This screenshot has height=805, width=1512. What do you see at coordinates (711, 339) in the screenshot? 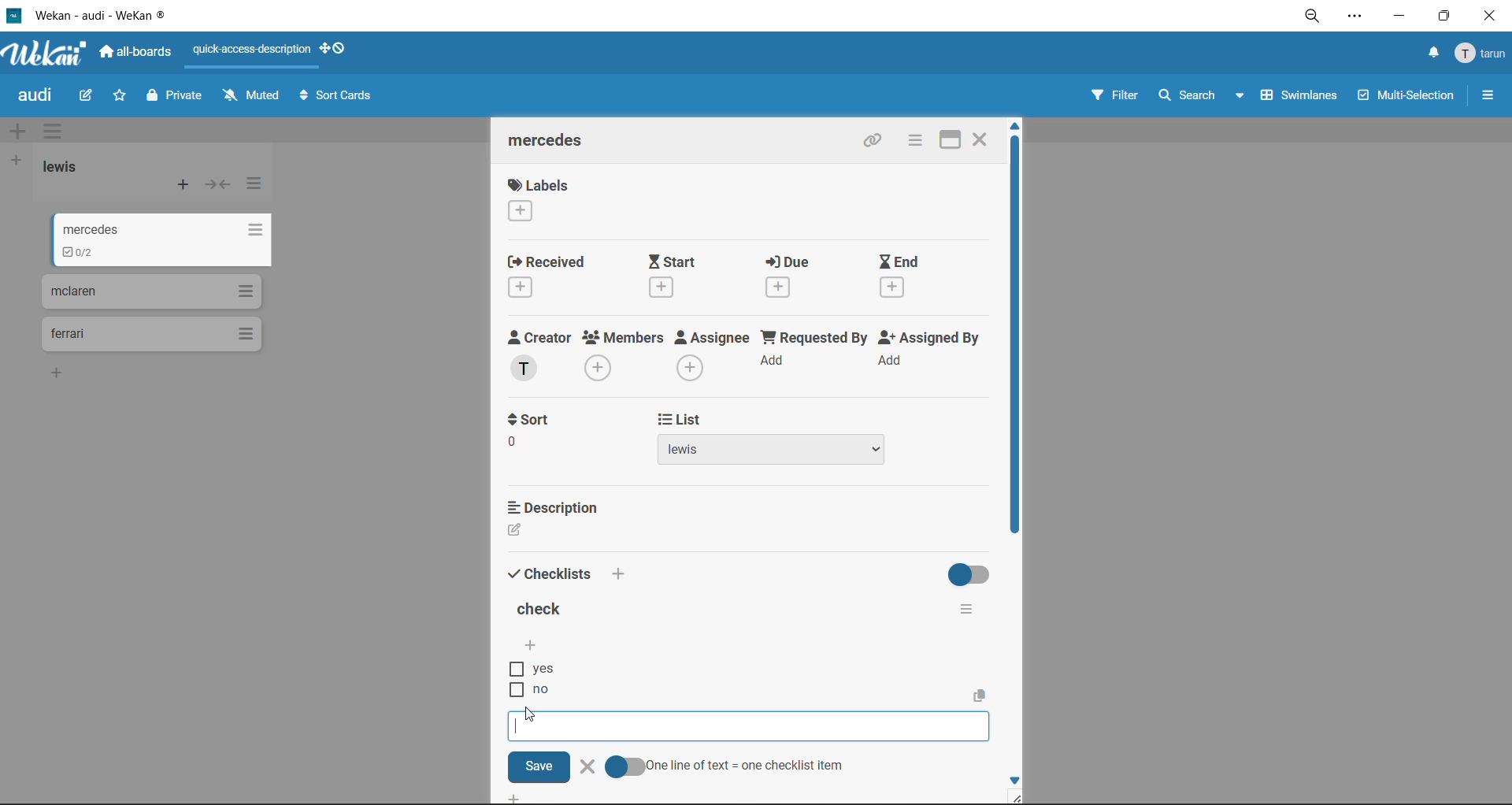
I see `assignee` at bounding box center [711, 339].